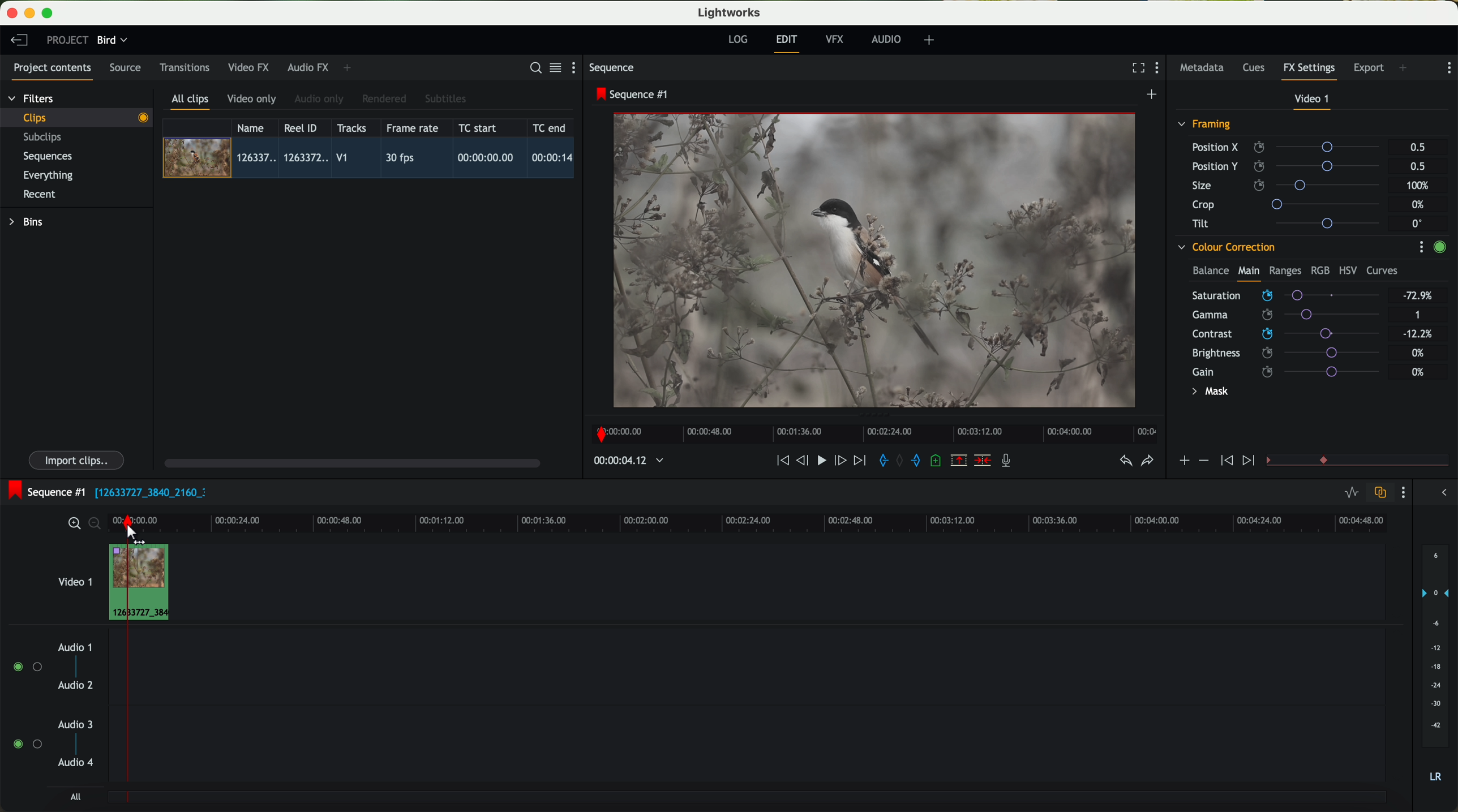 The height and width of the screenshot is (812, 1458). What do you see at coordinates (1147, 462) in the screenshot?
I see `redo` at bounding box center [1147, 462].